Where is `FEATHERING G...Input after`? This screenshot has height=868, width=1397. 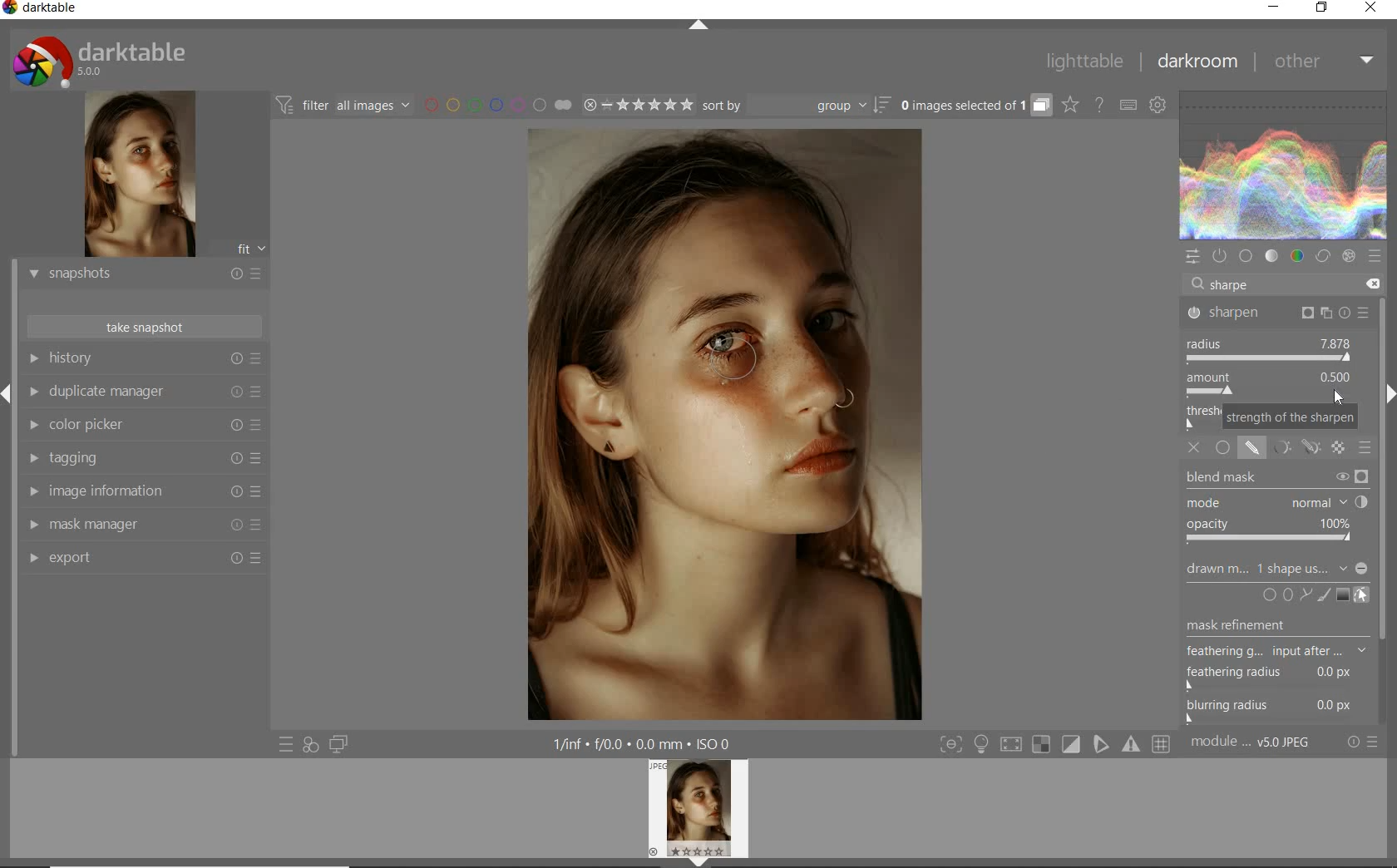 FEATHERING G...Input after is located at coordinates (1262, 649).